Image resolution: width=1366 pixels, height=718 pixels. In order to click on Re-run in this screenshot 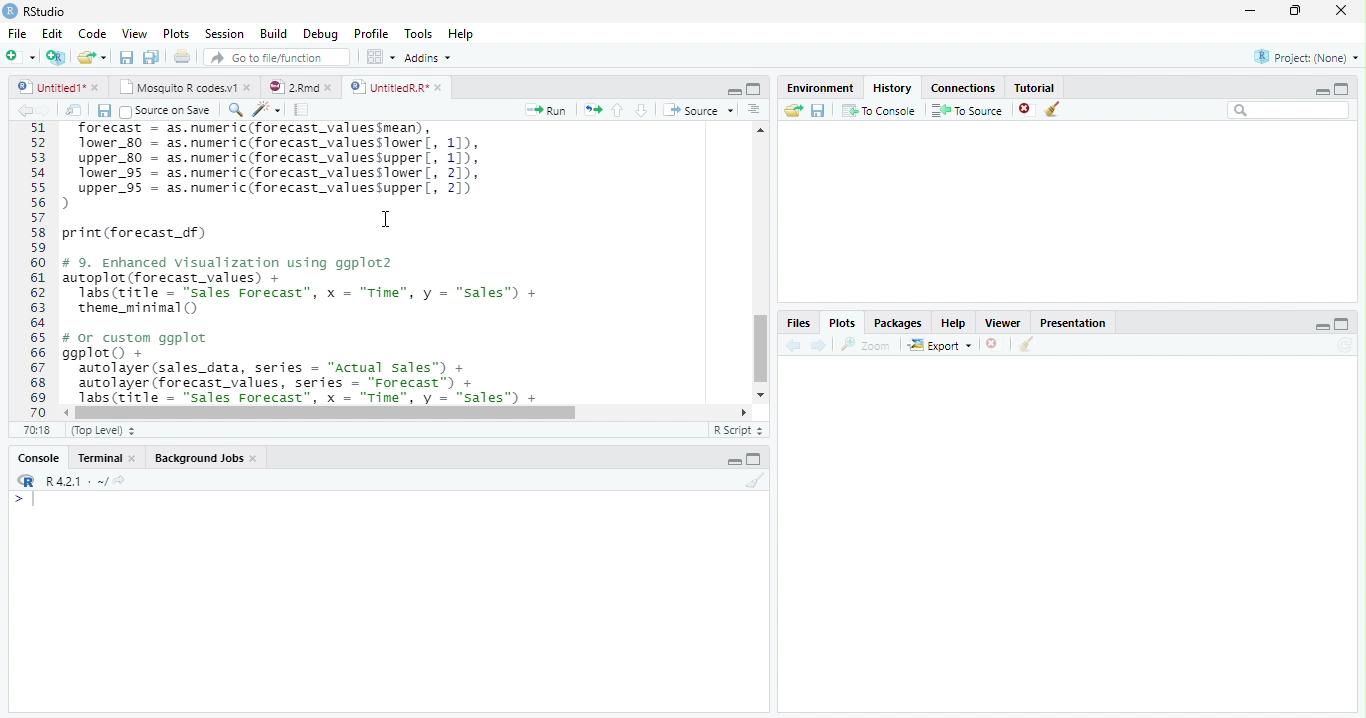, I will do `click(591, 110)`.